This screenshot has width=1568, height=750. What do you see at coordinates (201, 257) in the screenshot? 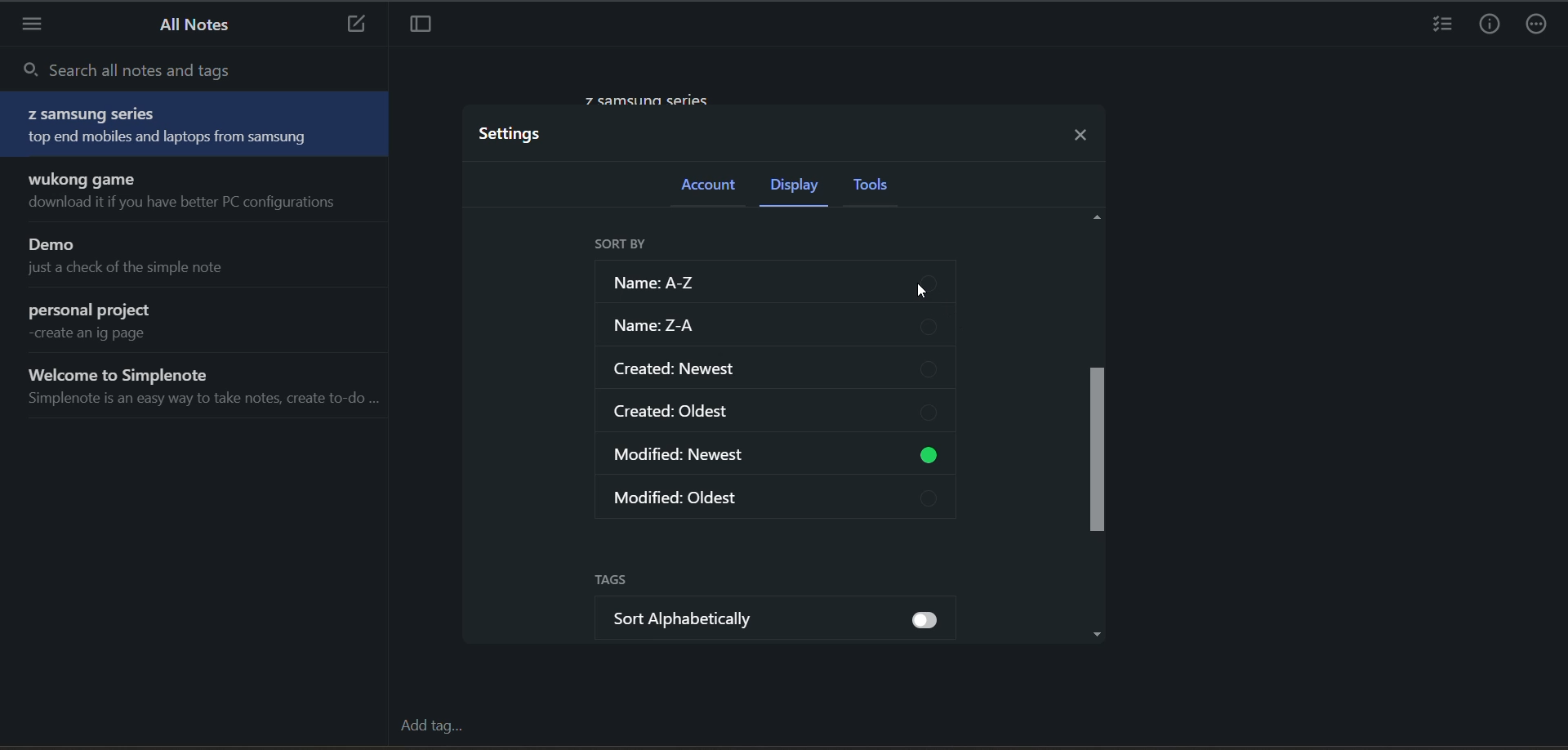
I see `Demo
just a check of the simple note` at bounding box center [201, 257].